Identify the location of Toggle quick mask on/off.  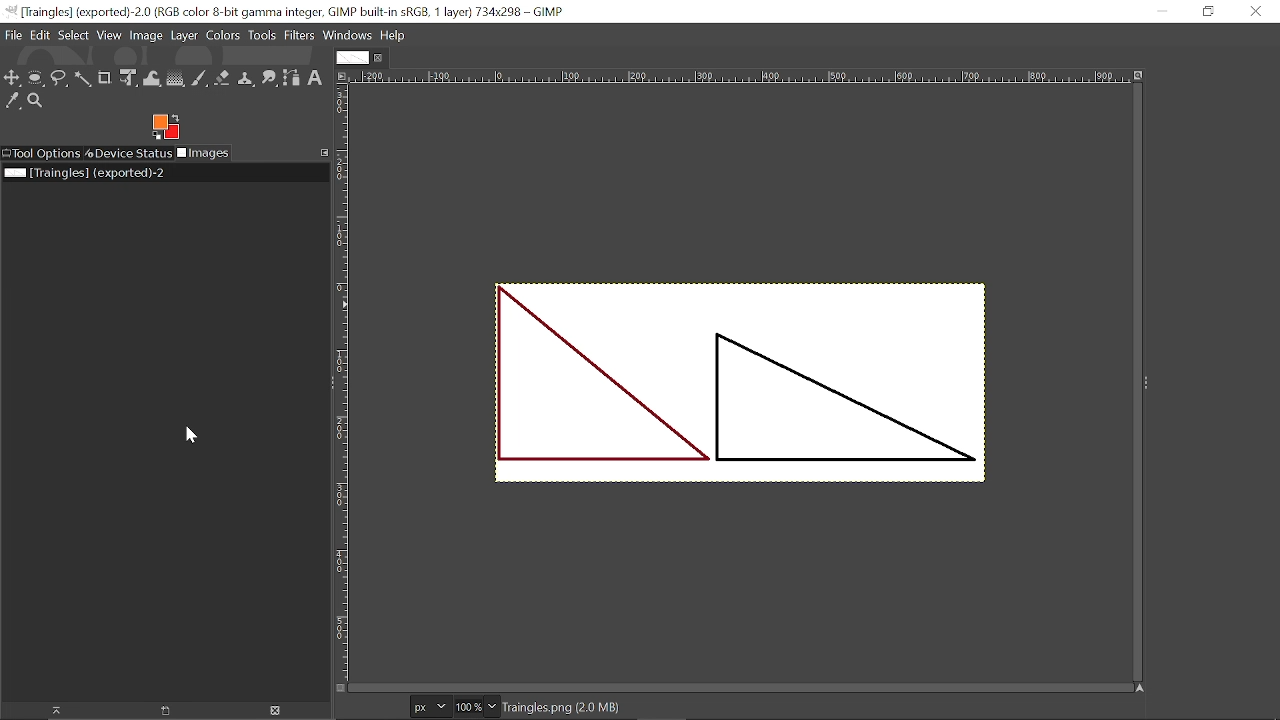
(342, 688).